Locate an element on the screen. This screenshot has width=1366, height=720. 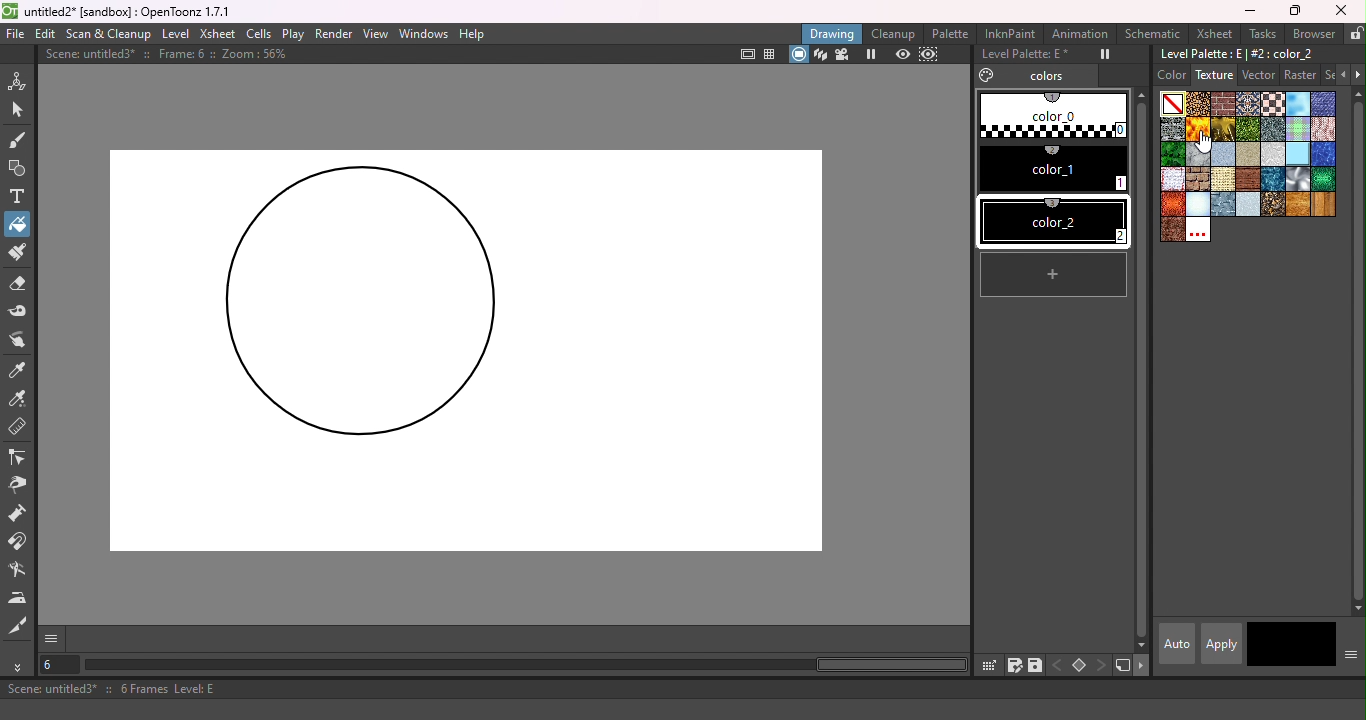
stucco.bmp is located at coordinates (1249, 205).